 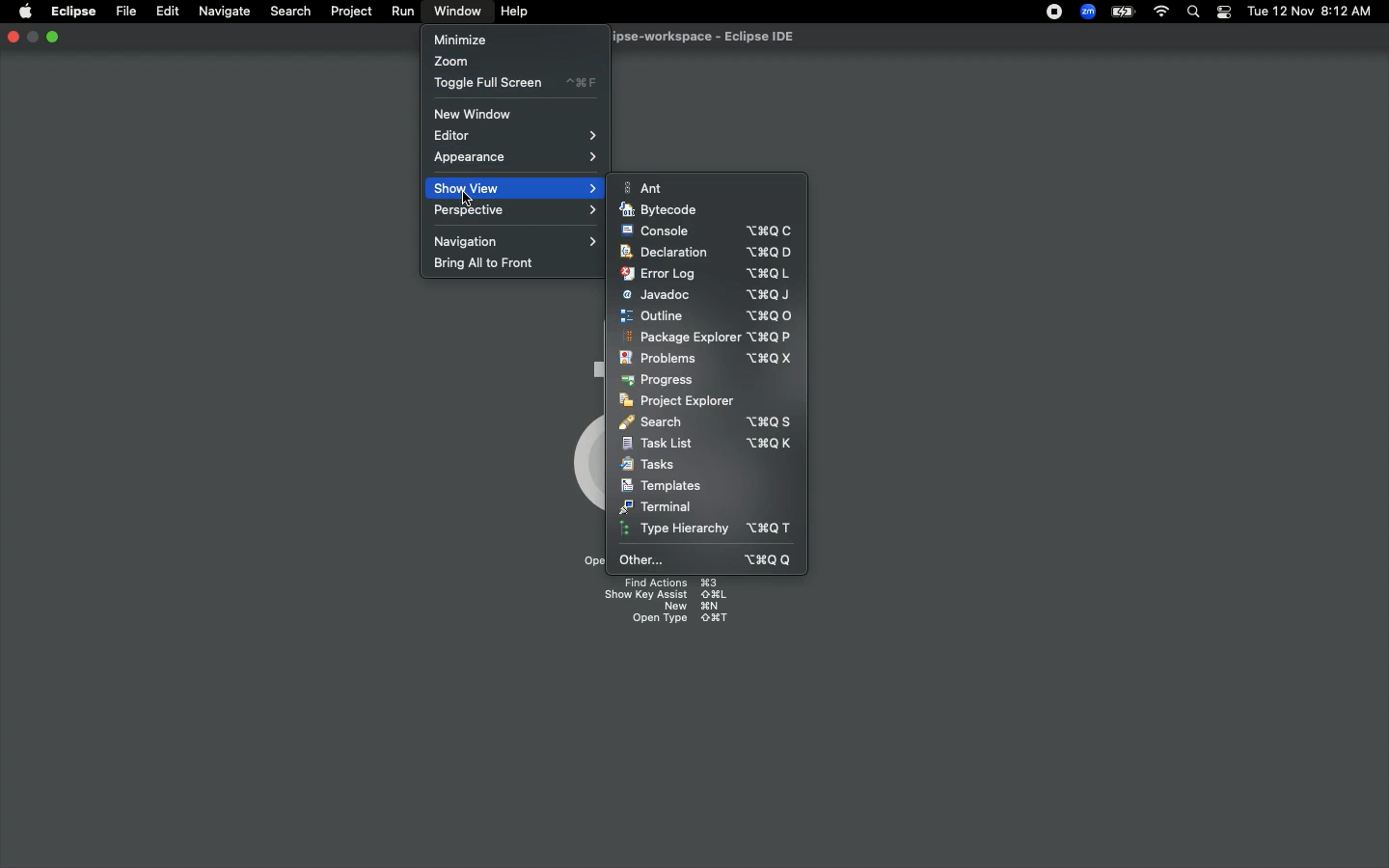 What do you see at coordinates (708, 274) in the screenshot?
I see `Error log` at bounding box center [708, 274].